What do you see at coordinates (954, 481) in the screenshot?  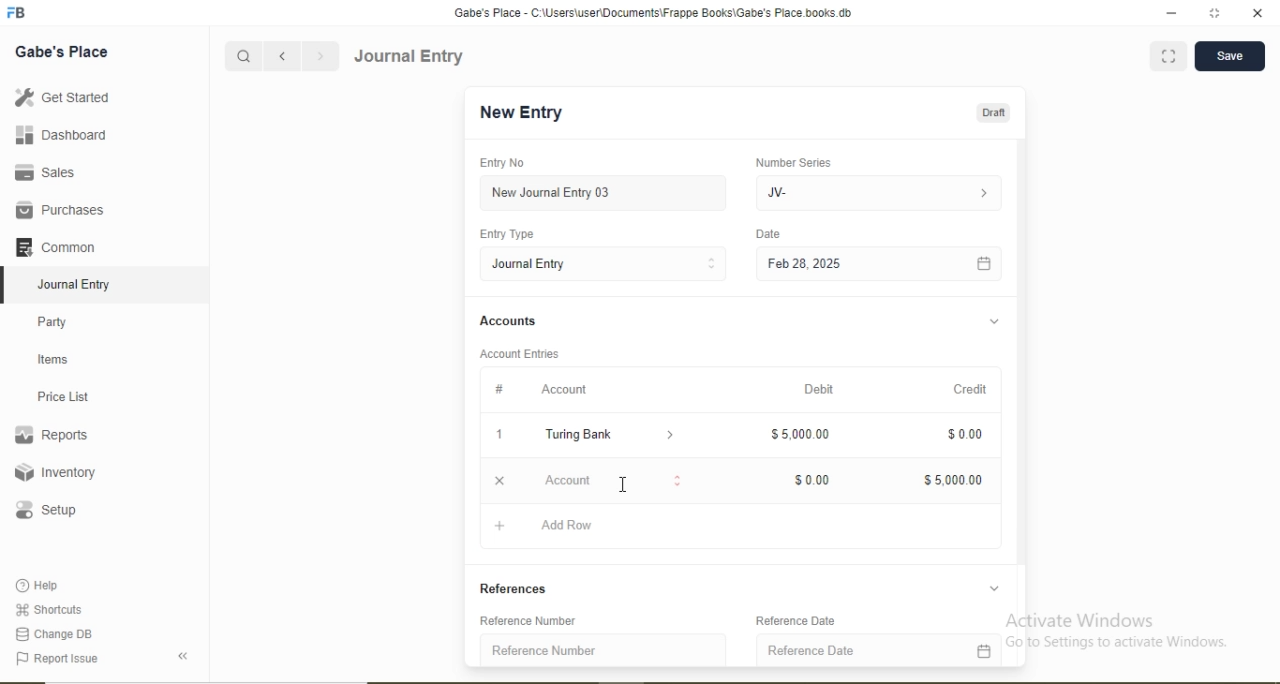 I see `$5,000.00` at bounding box center [954, 481].